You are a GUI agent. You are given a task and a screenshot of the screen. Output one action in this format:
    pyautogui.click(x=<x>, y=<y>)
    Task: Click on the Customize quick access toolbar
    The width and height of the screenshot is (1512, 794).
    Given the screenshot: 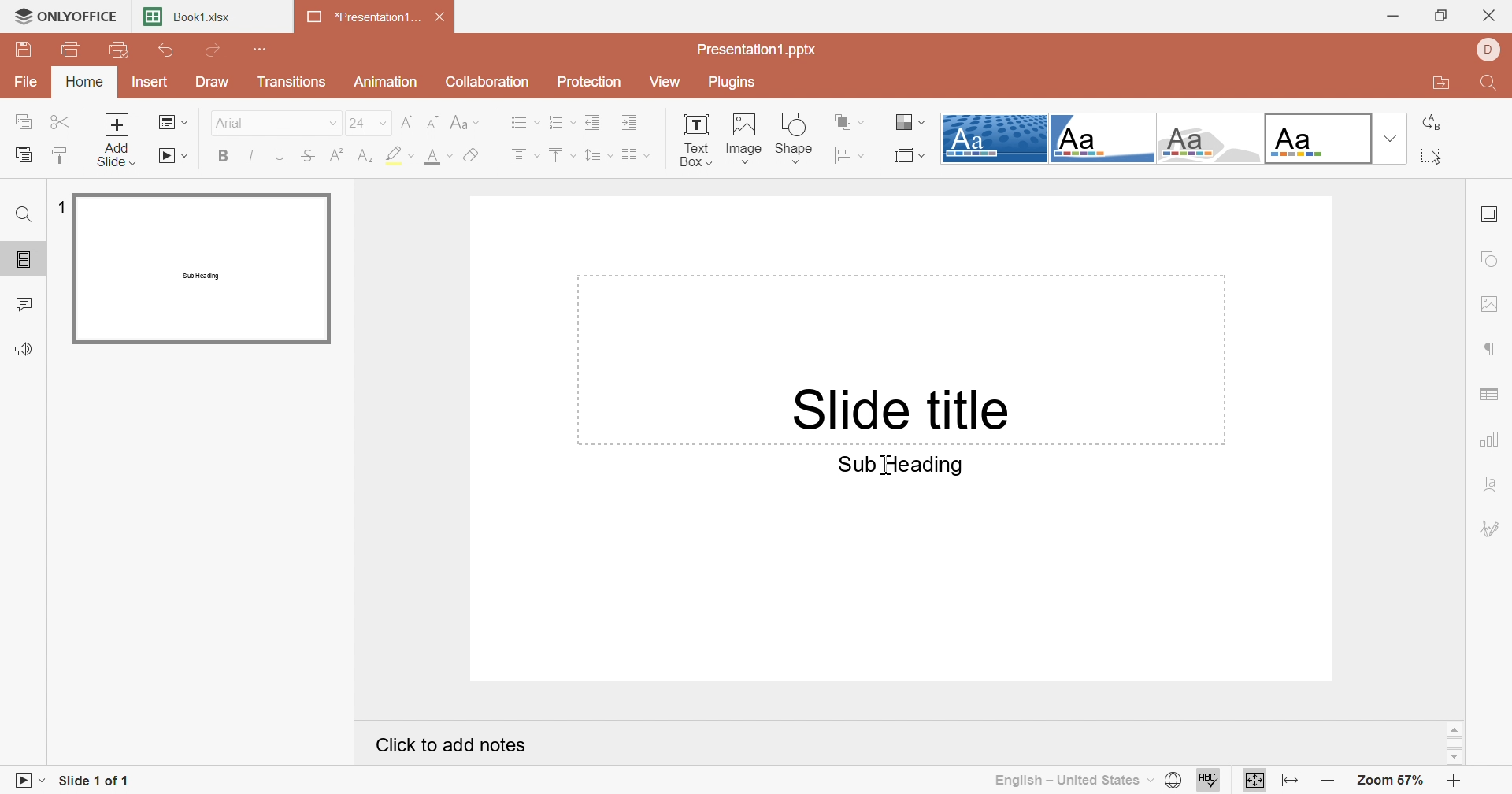 What is the action you would take?
    pyautogui.click(x=258, y=49)
    